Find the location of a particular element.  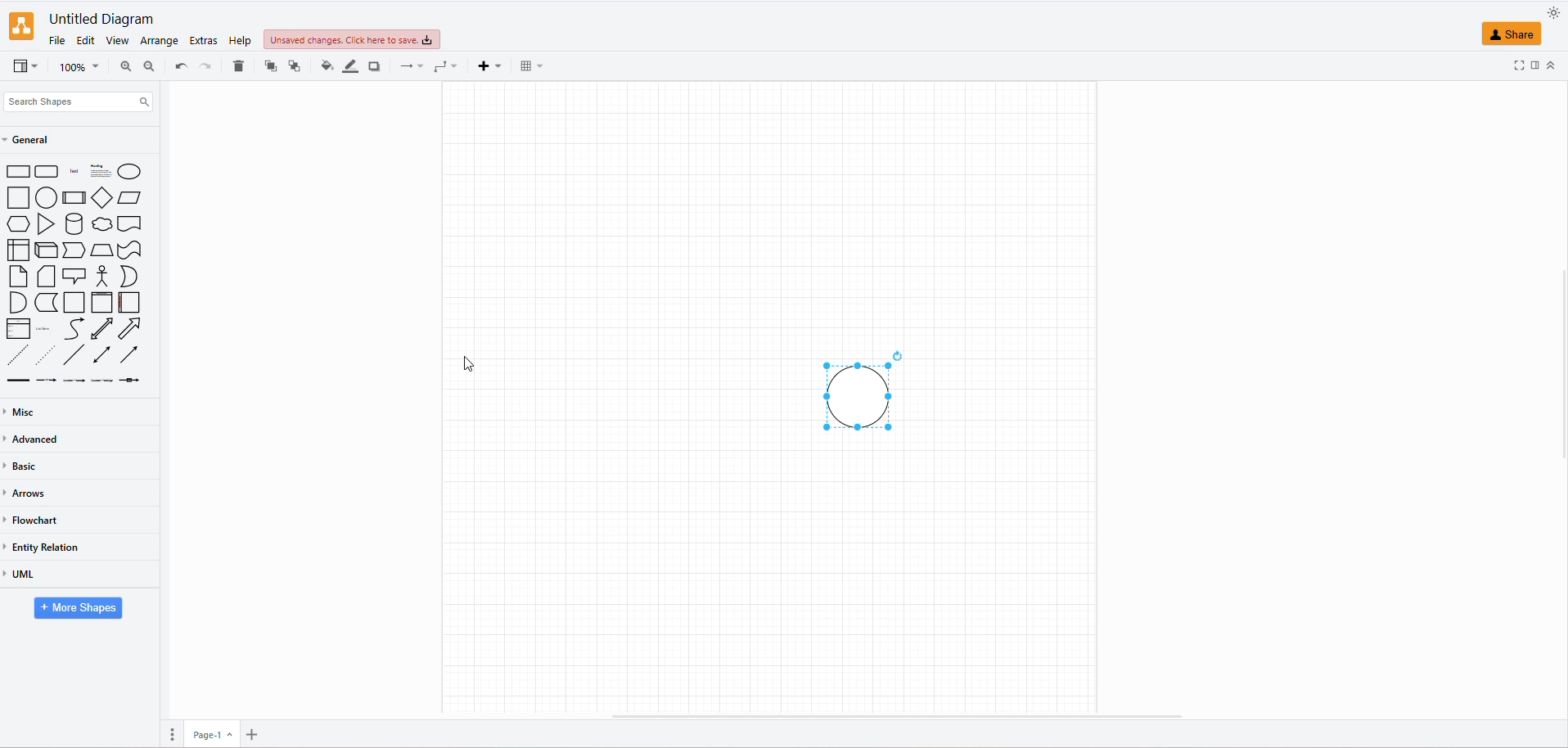

line is located at coordinates (18, 381).